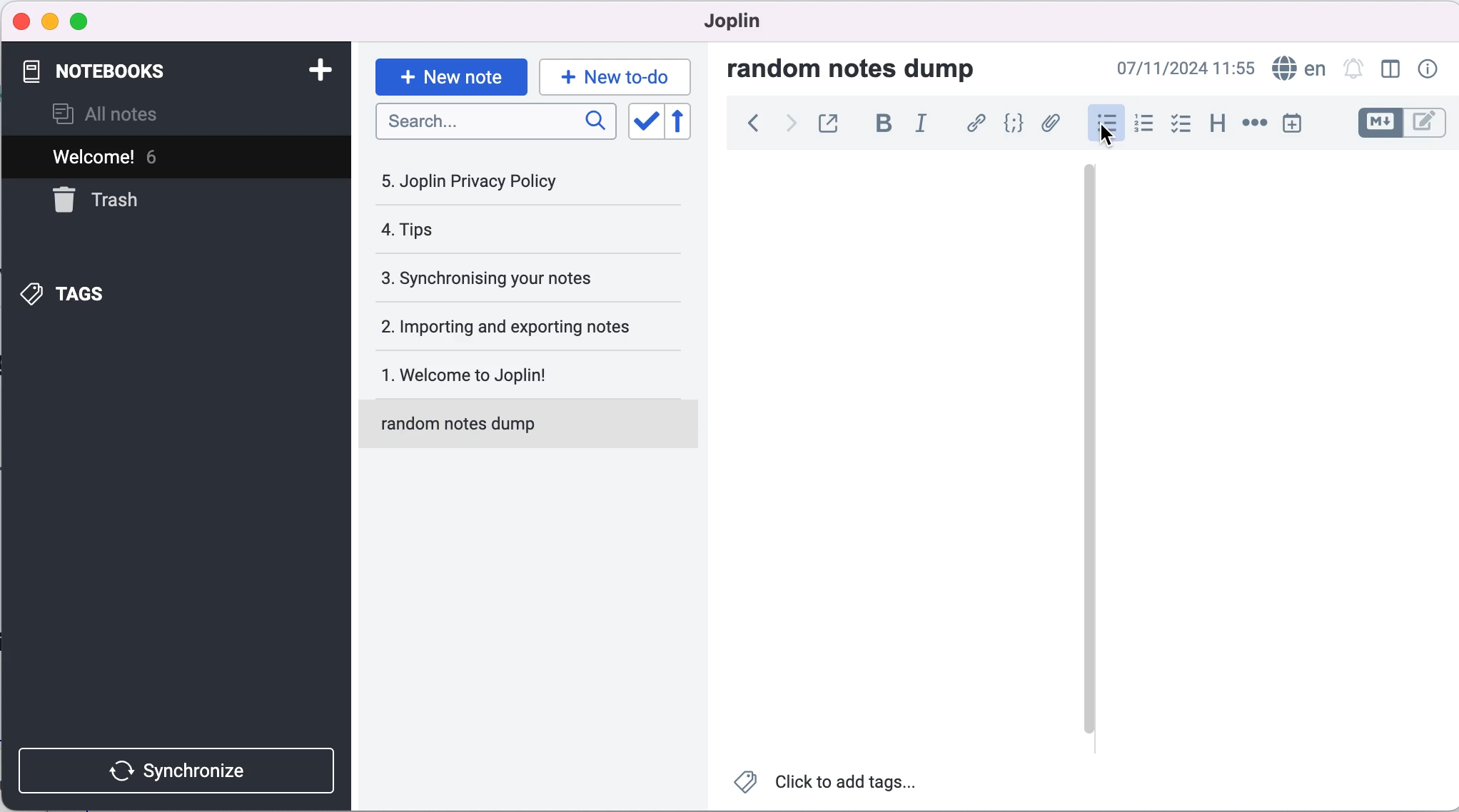  Describe the element at coordinates (1091, 200) in the screenshot. I see `vertical slider` at that location.